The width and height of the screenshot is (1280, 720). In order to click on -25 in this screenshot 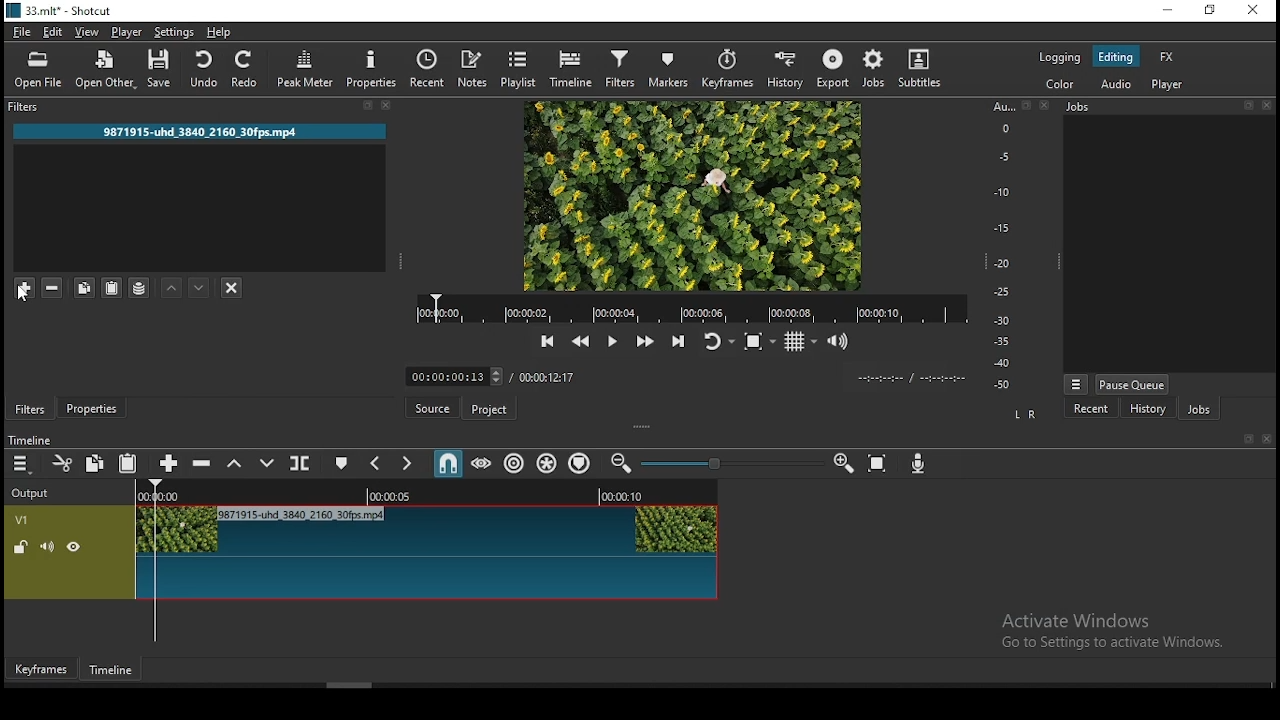, I will do `click(1000, 291)`.